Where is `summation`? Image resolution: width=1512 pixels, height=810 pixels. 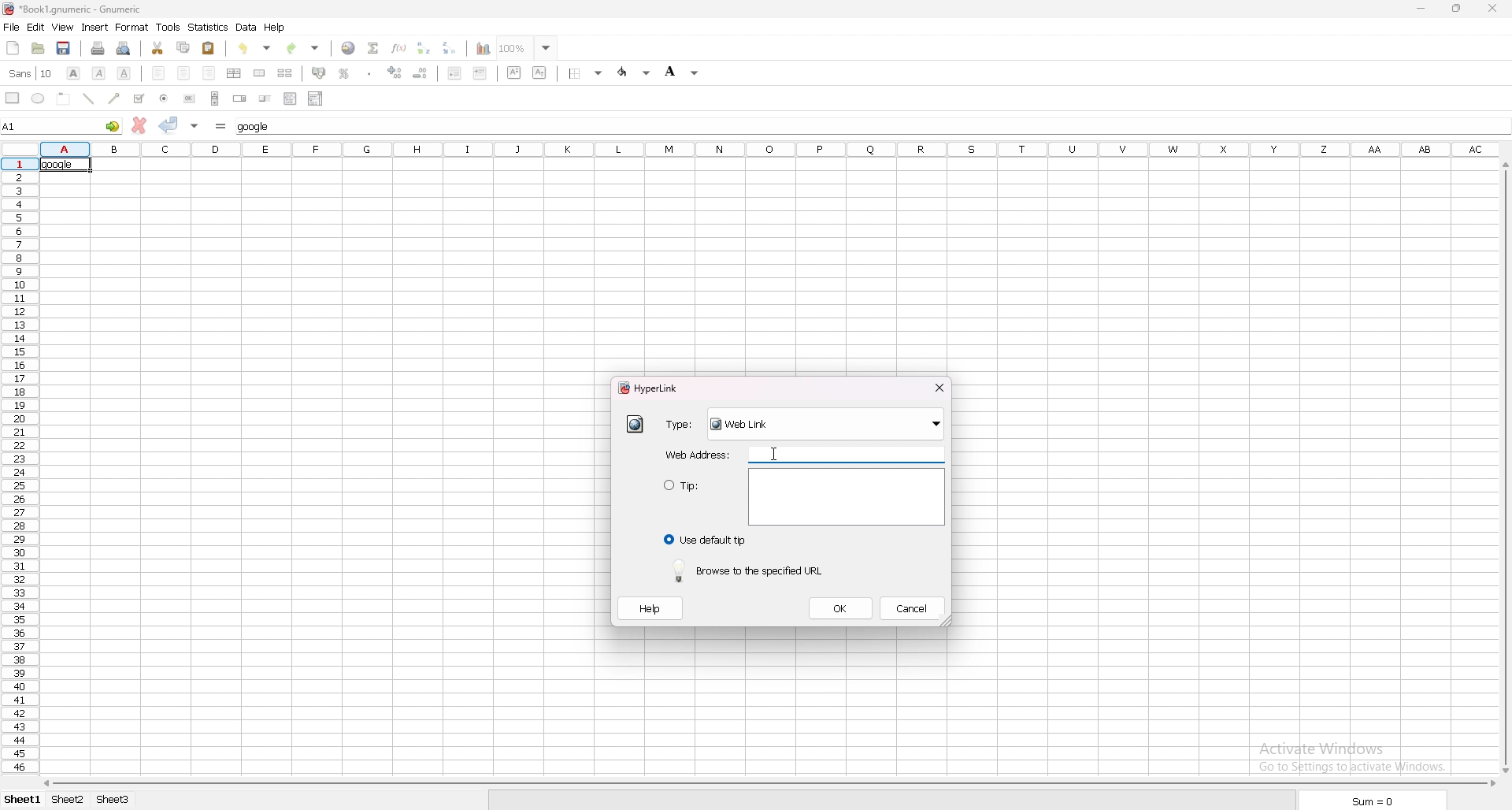
summation is located at coordinates (373, 49).